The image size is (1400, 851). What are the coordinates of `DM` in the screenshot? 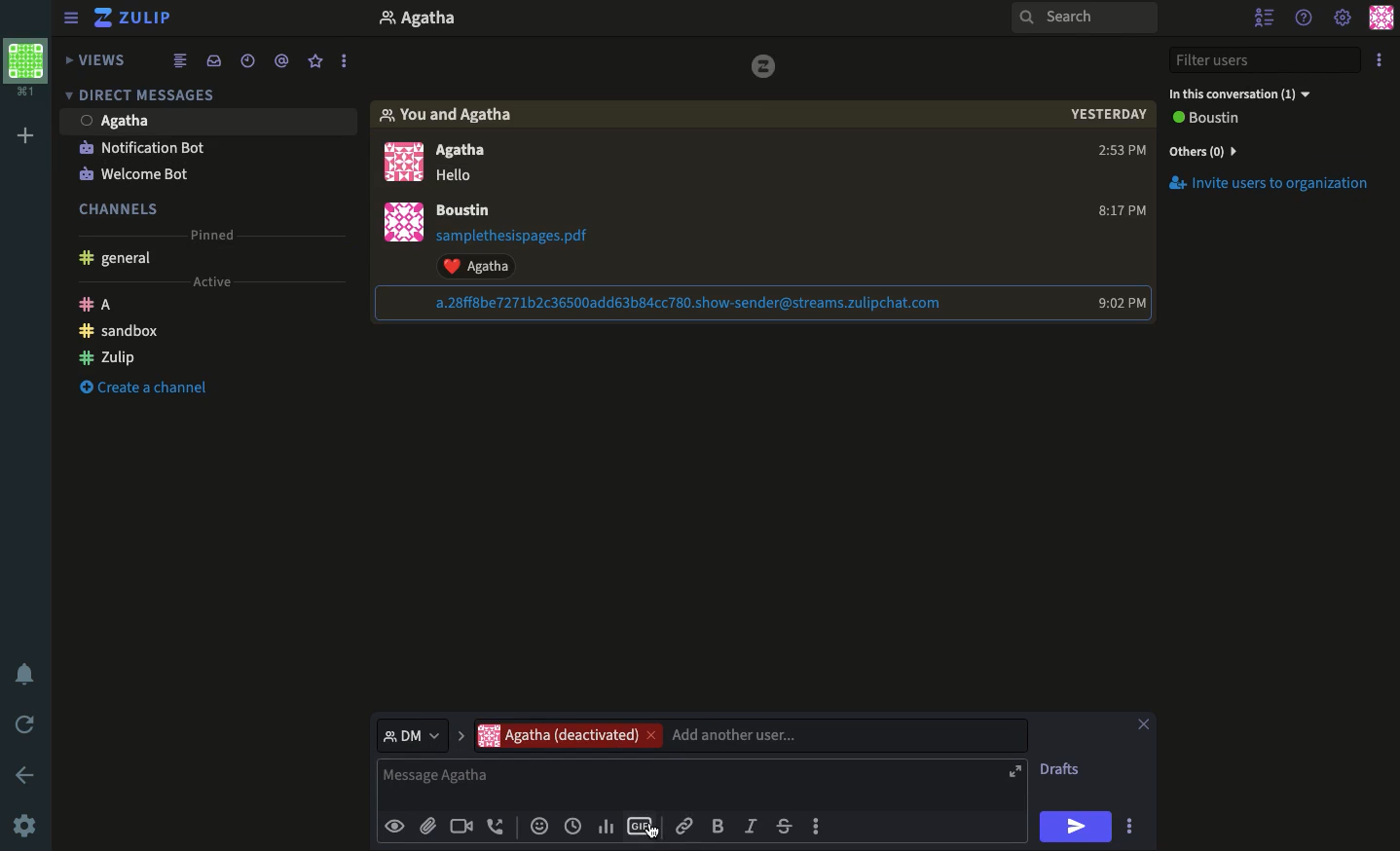 It's located at (424, 736).